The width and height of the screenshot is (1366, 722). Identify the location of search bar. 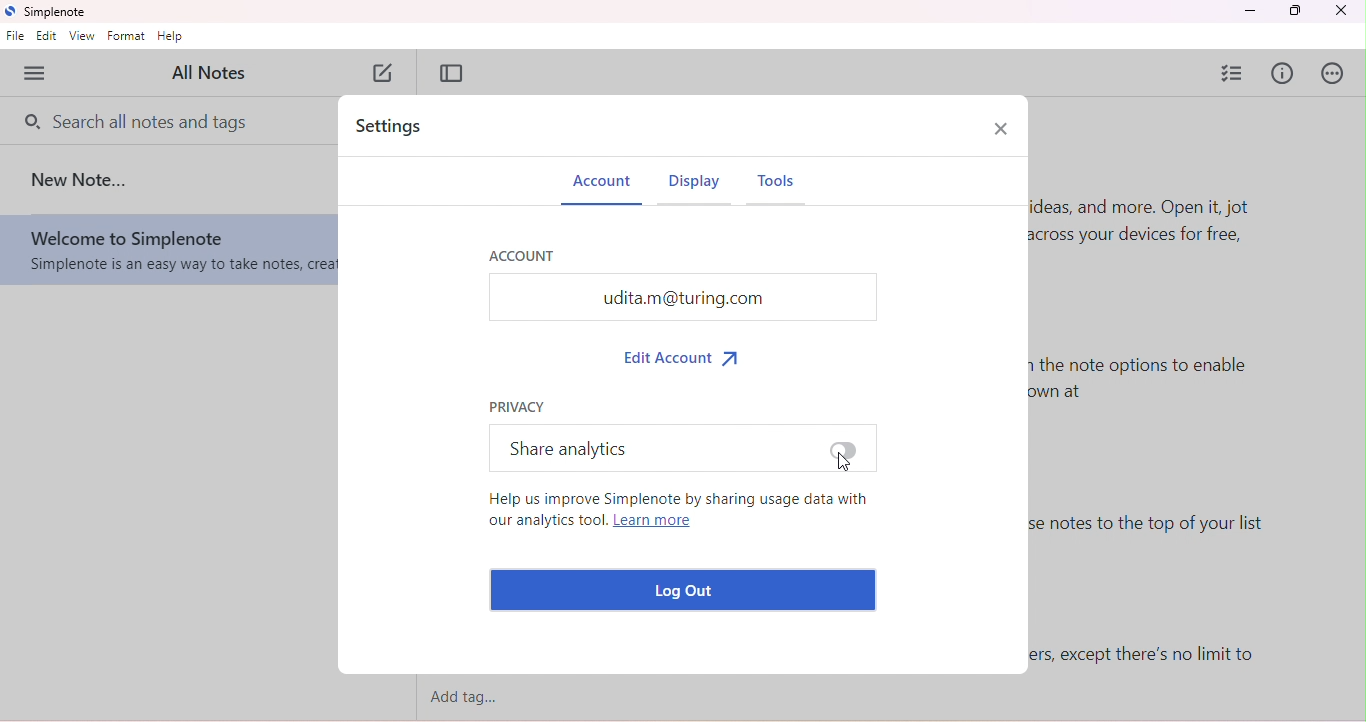
(139, 119).